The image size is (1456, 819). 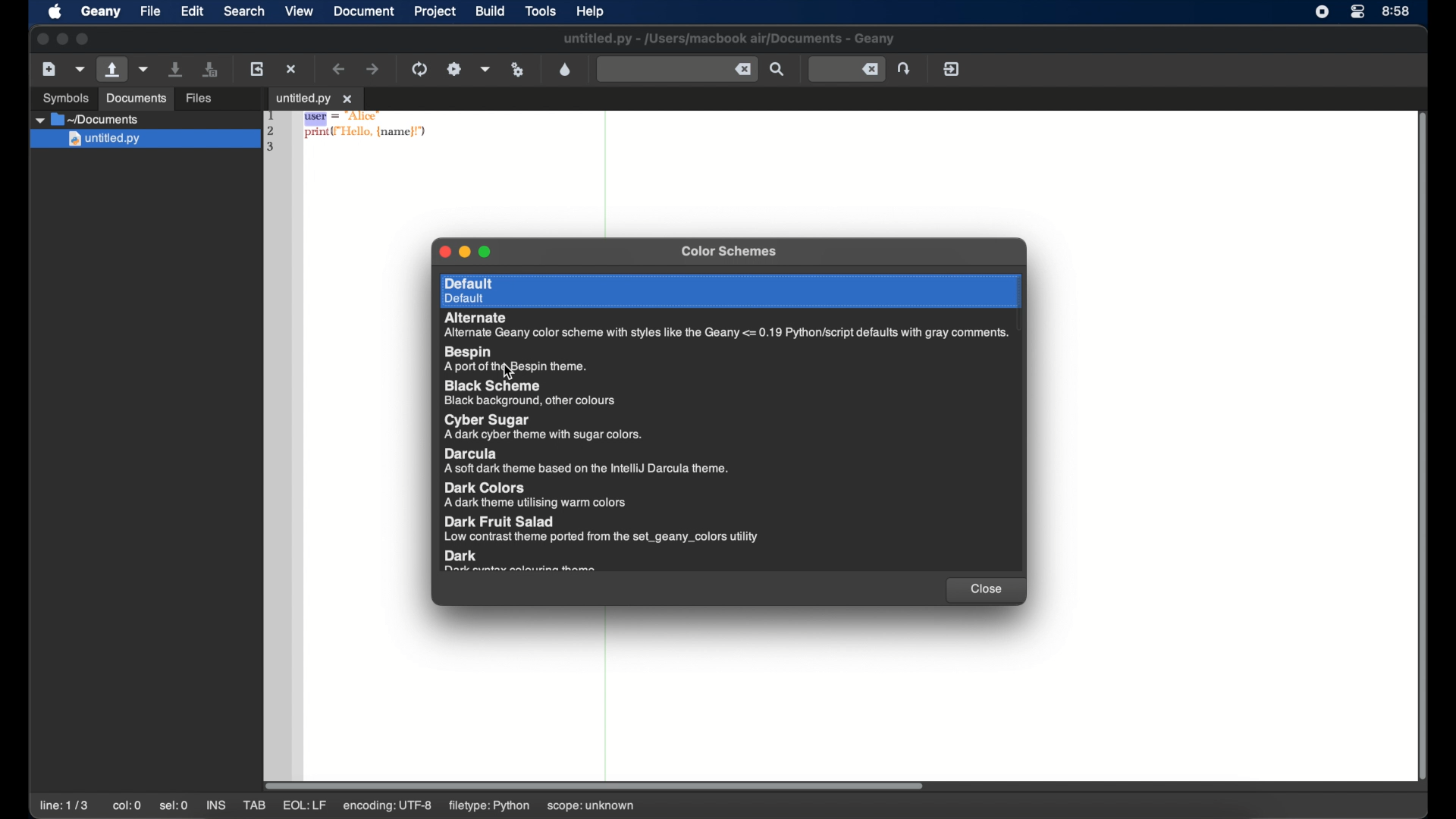 I want to click on find the entered text in current file, so click(x=777, y=70).